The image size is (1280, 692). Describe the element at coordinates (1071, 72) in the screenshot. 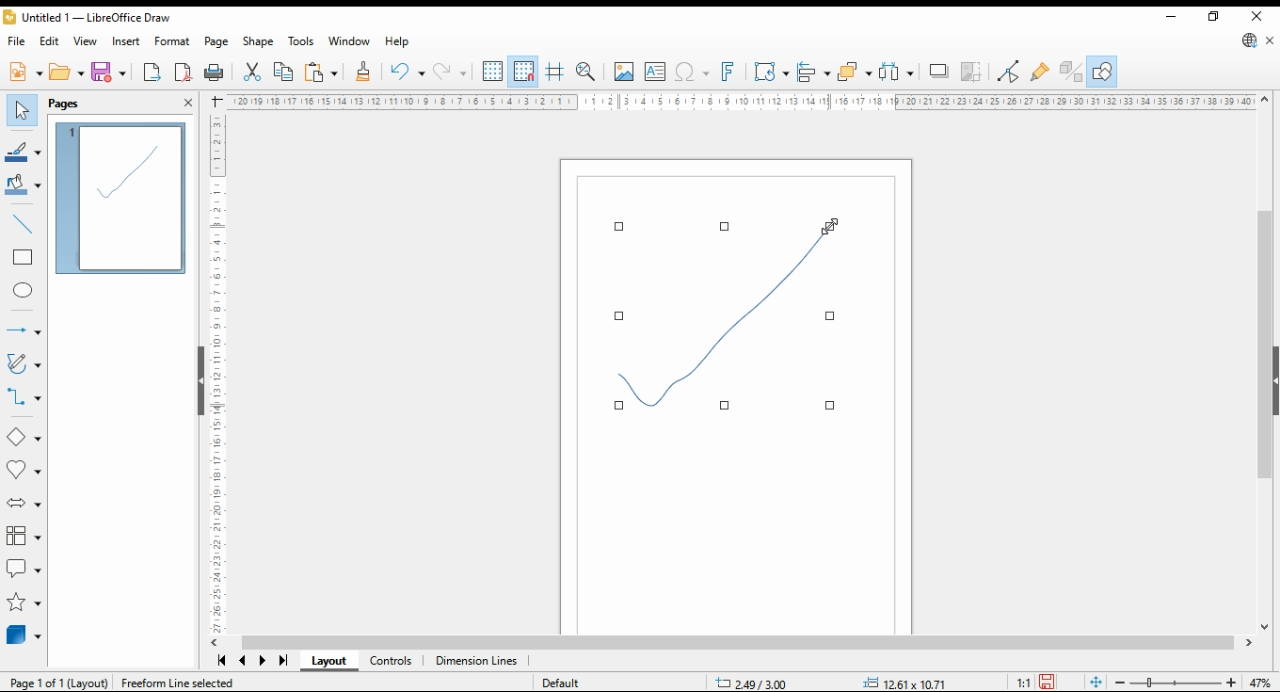

I see `toggle extrusions` at that location.